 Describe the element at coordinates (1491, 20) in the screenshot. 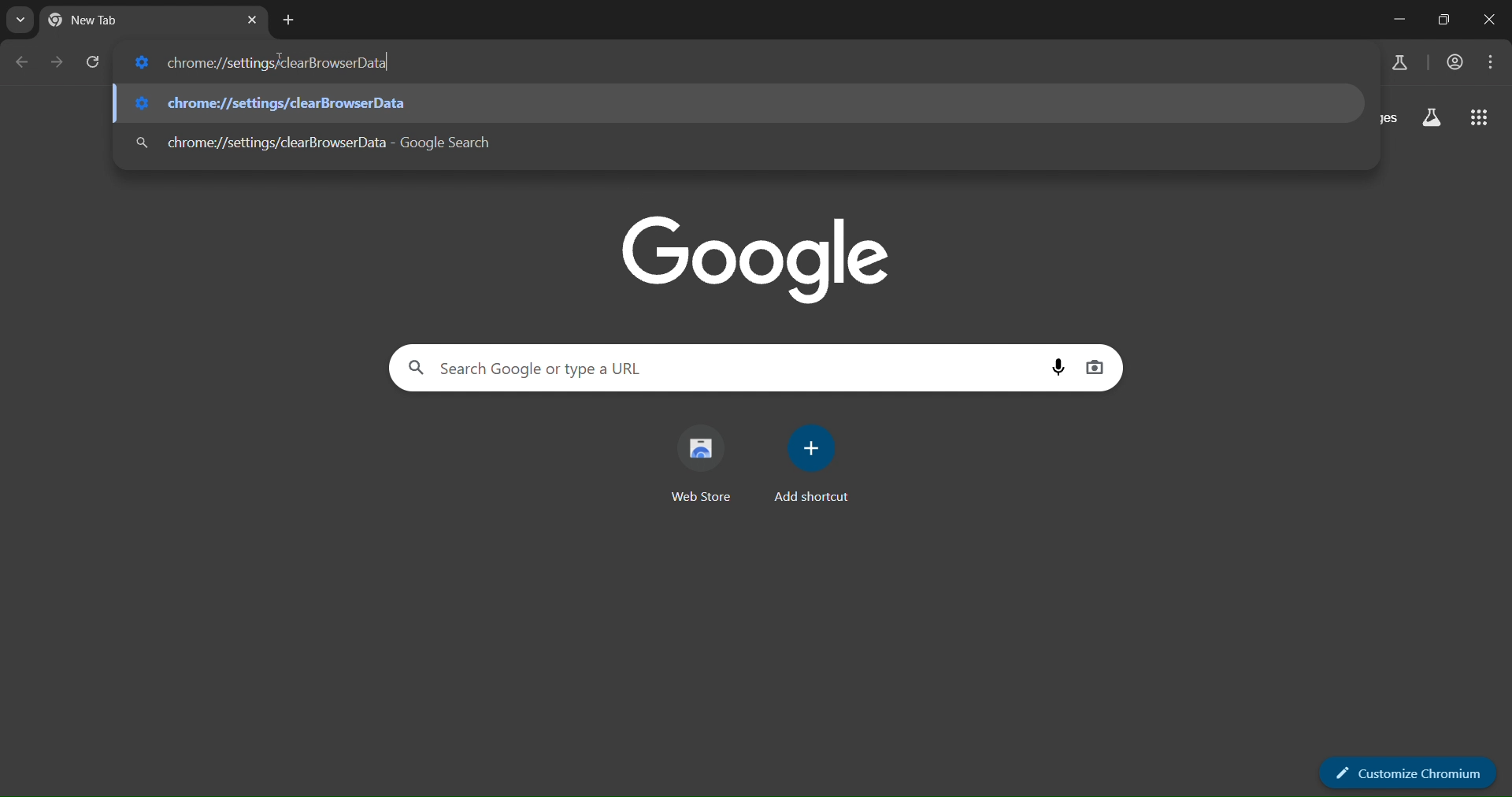

I see `close` at that location.